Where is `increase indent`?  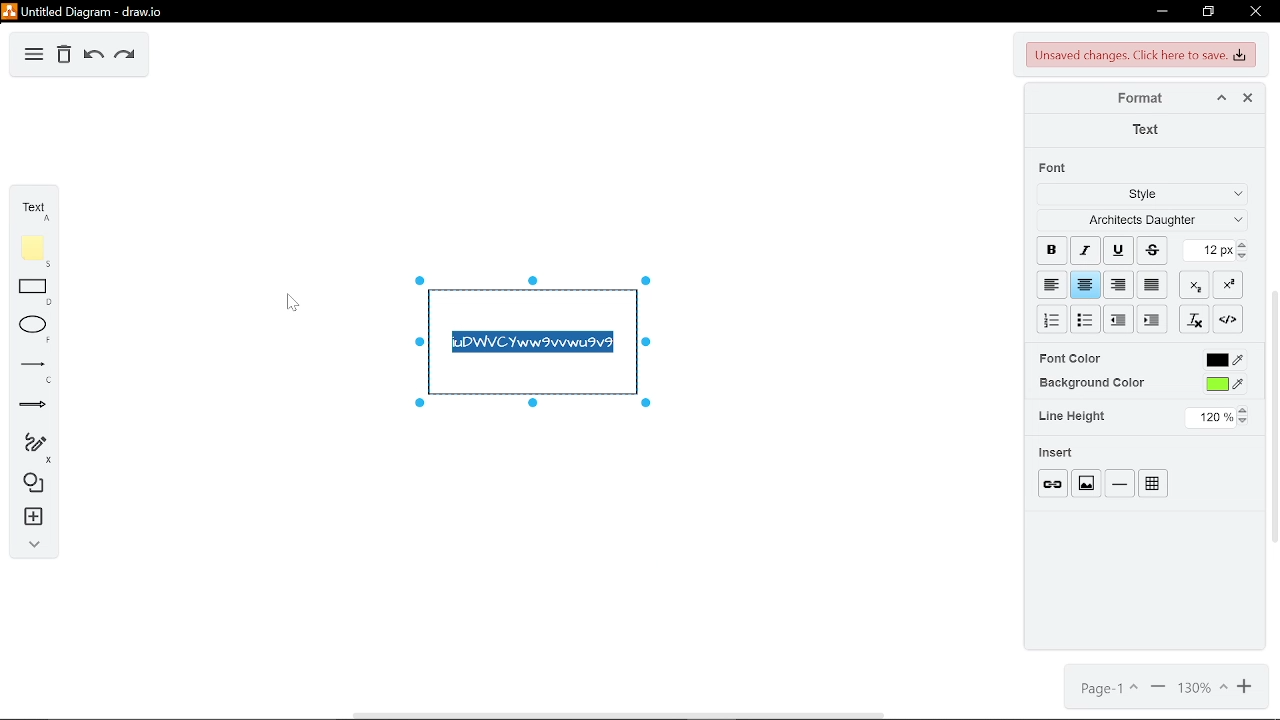 increase indent is located at coordinates (1119, 320).